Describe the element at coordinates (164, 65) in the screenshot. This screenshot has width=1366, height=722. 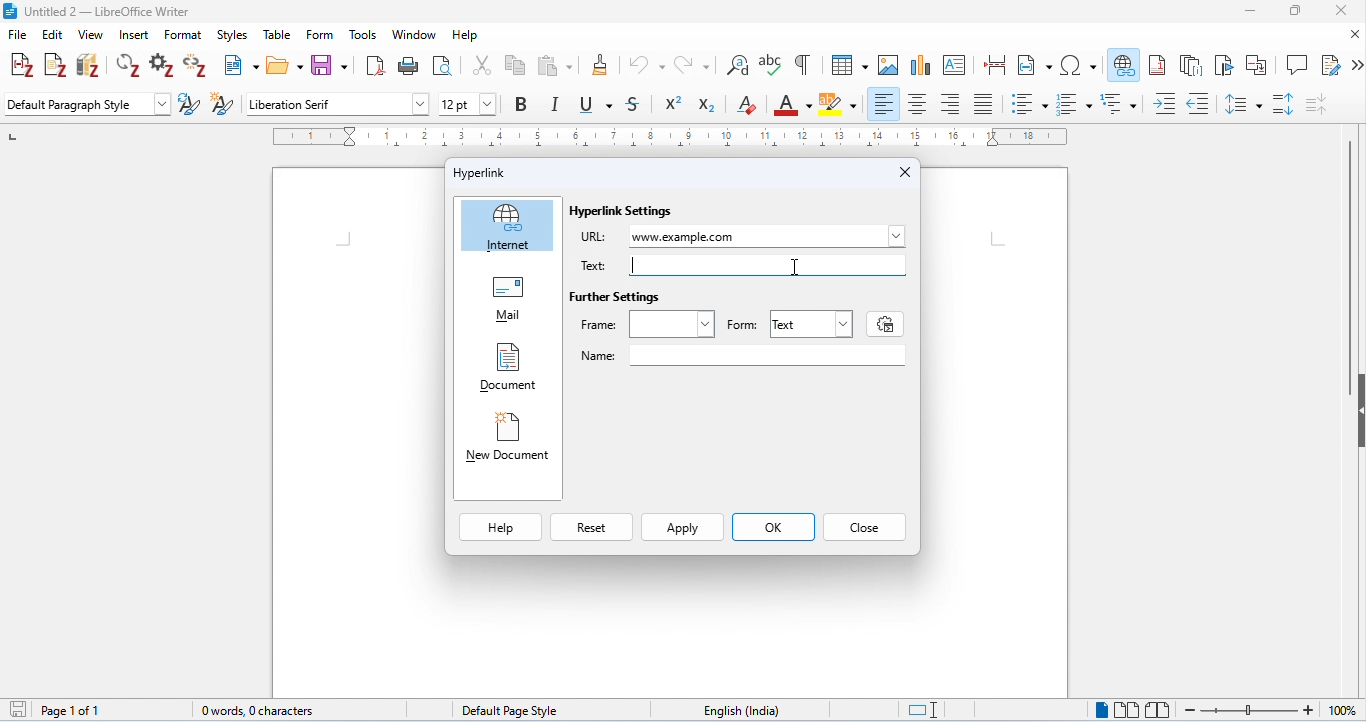
I see `set document preference` at that location.